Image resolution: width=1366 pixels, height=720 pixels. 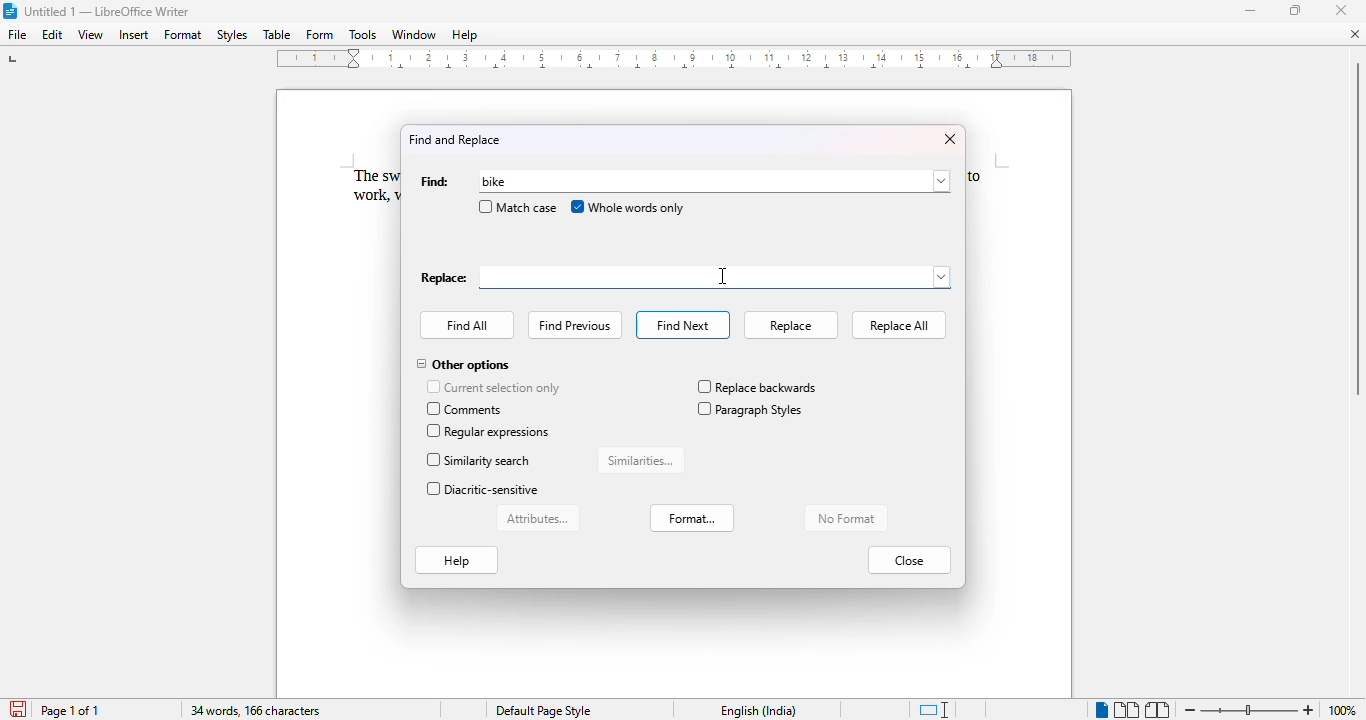 I want to click on similarity search, so click(x=481, y=460).